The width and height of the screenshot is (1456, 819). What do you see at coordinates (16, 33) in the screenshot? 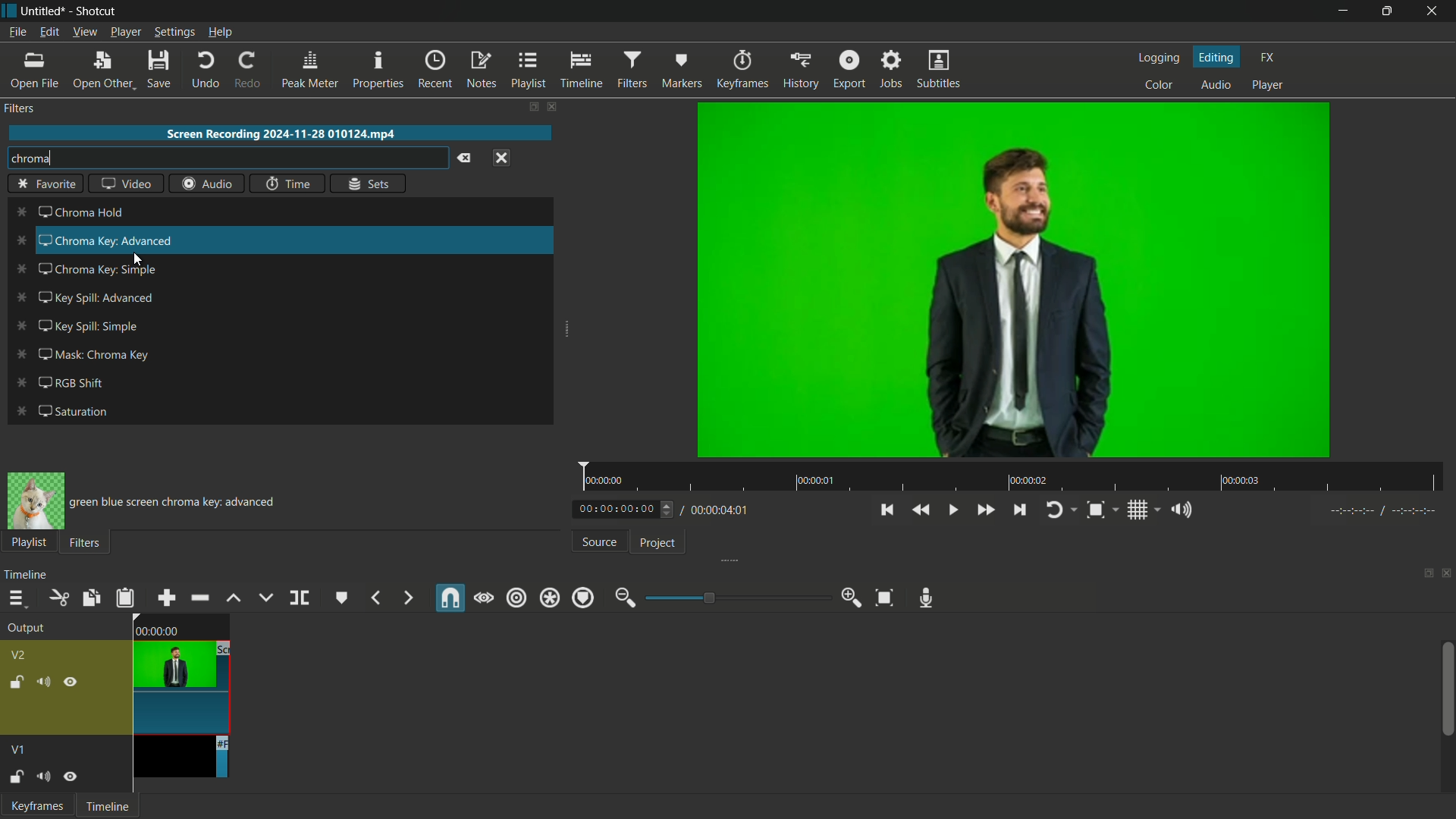
I see `file menu` at bounding box center [16, 33].